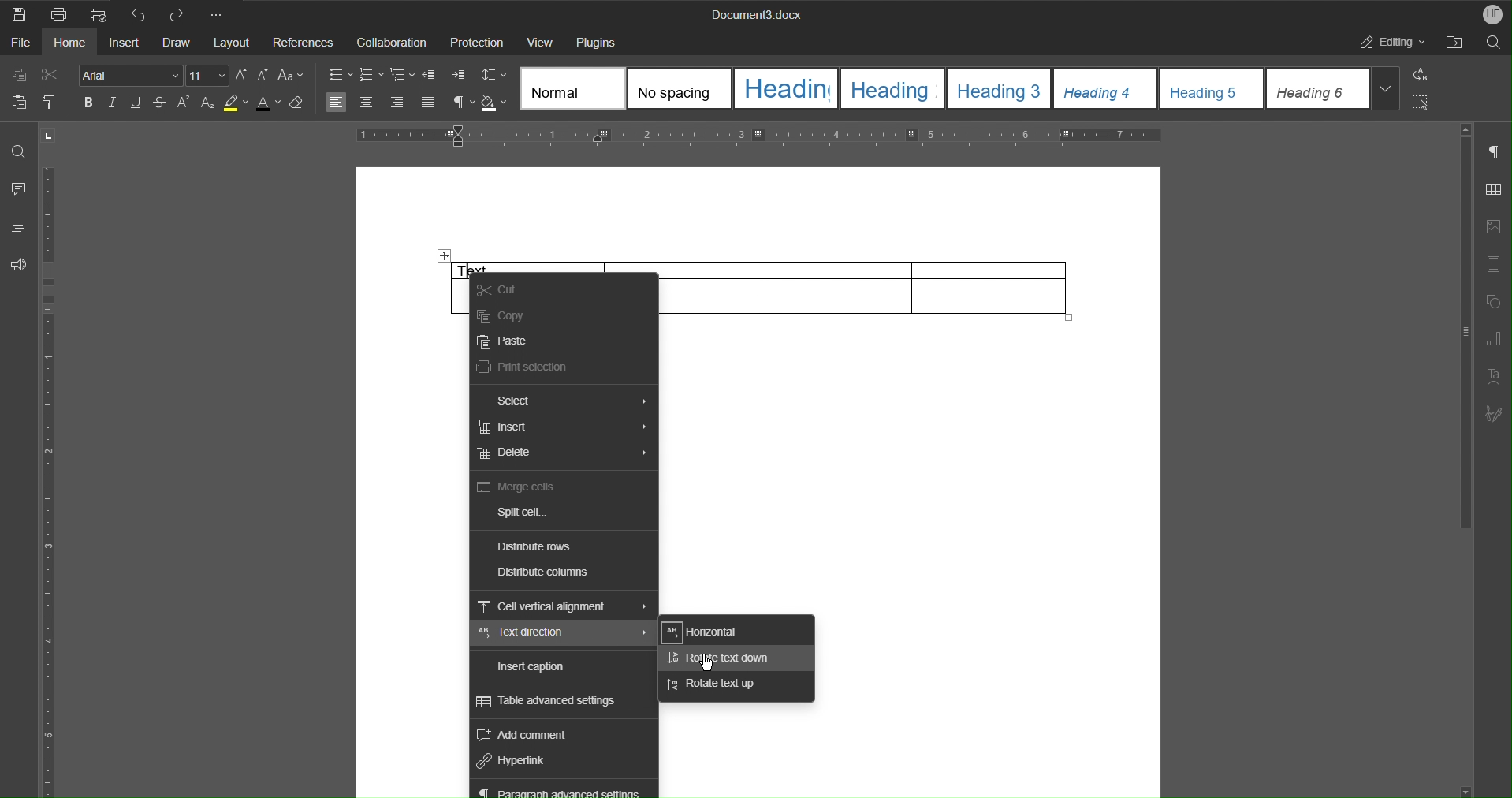 The image size is (1512, 798). Describe the element at coordinates (493, 76) in the screenshot. I see `Line Spacing` at that location.